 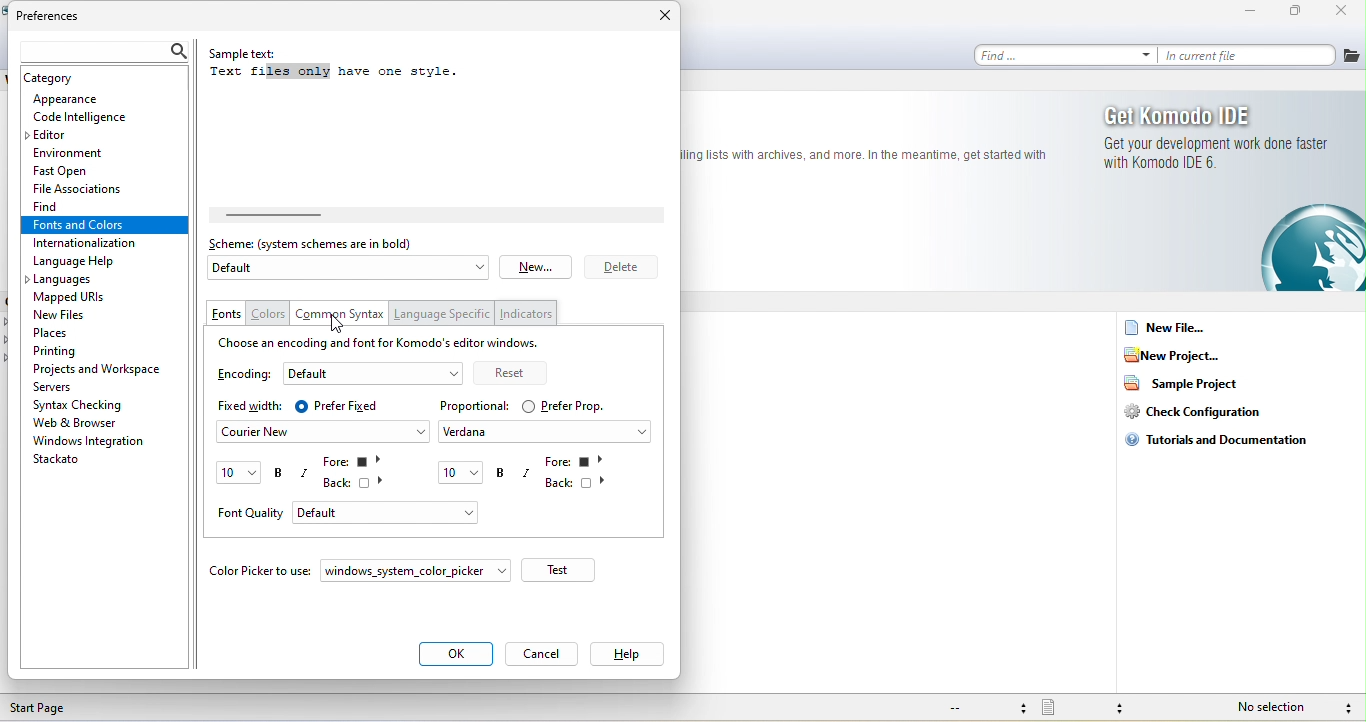 I want to click on text, so click(x=867, y=155).